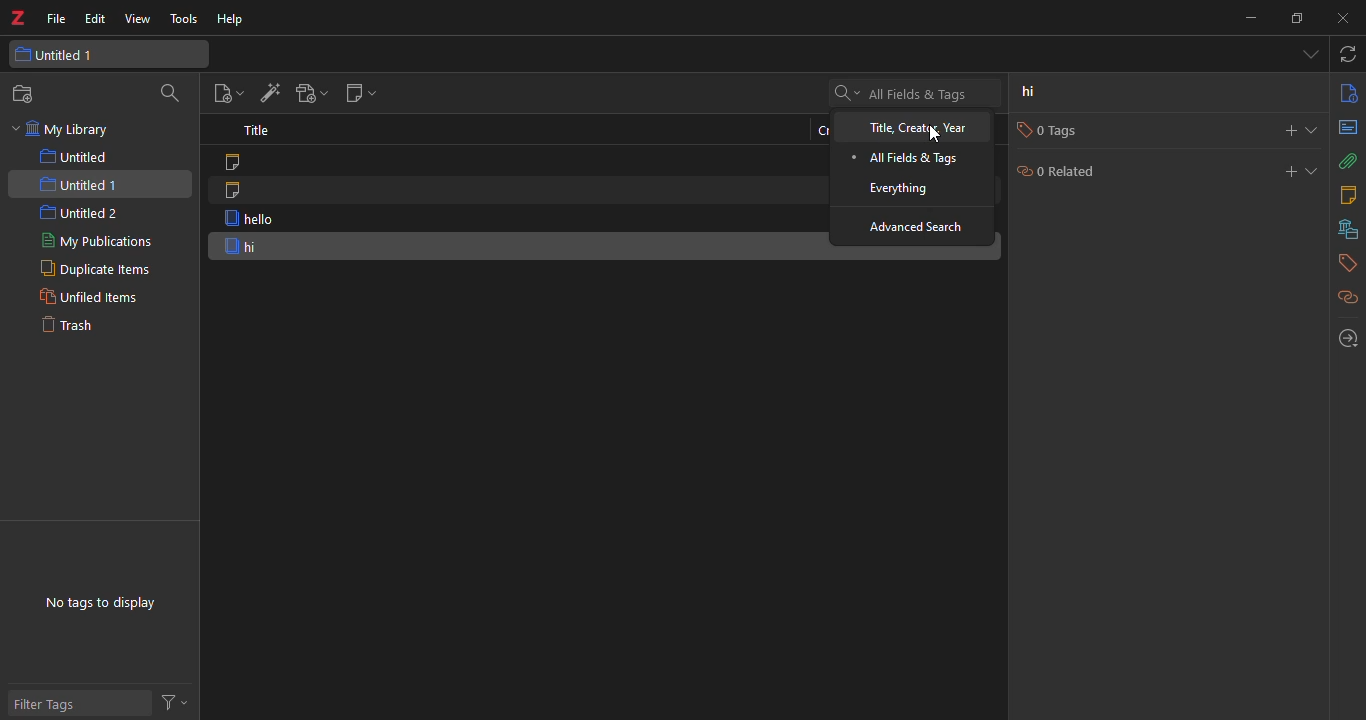 The height and width of the screenshot is (720, 1366). What do you see at coordinates (244, 248) in the screenshot?
I see `hi` at bounding box center [244, 248].